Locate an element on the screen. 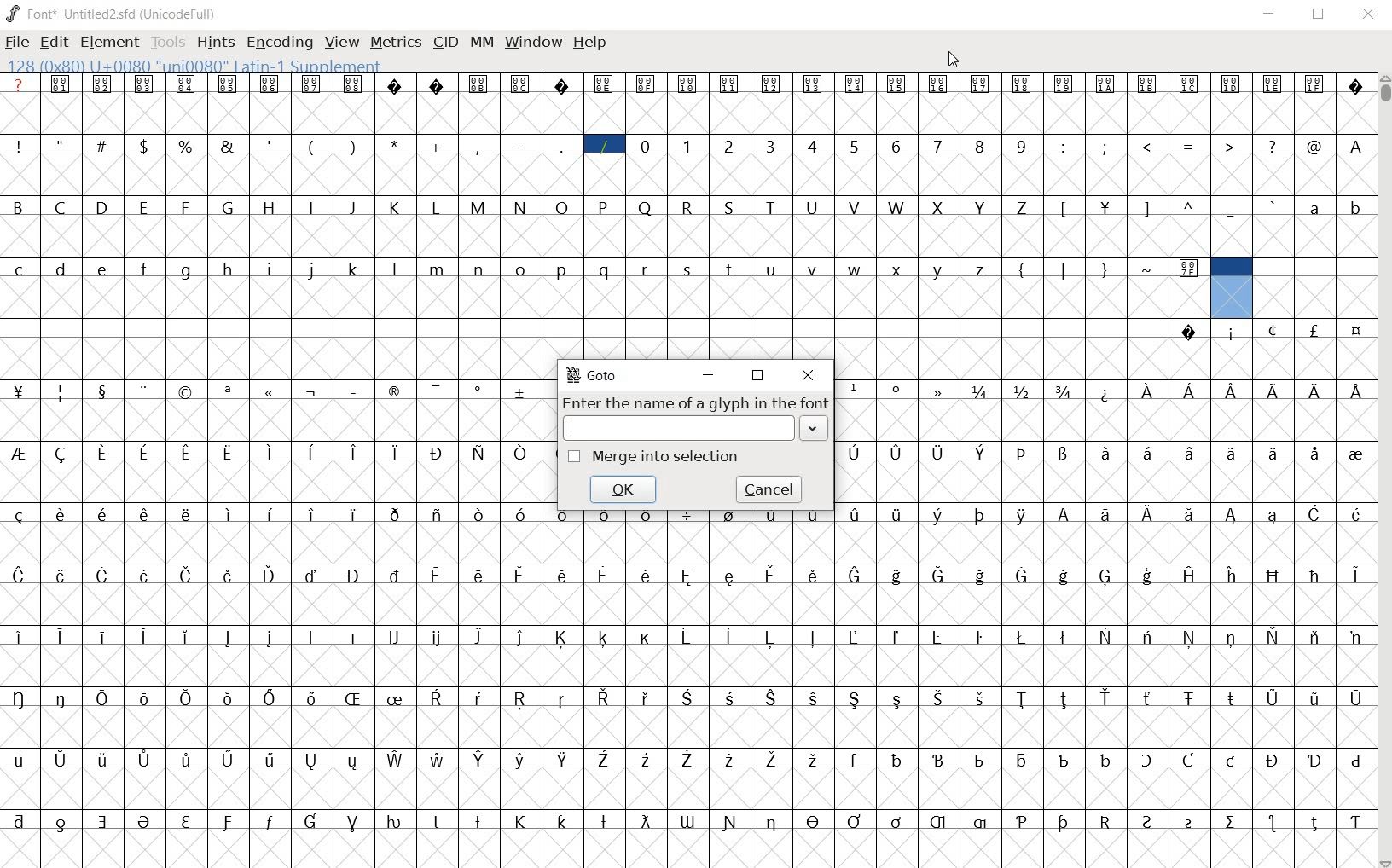 This screenshot has width=1392, height=868. cid is located at coordinates (445, 43).